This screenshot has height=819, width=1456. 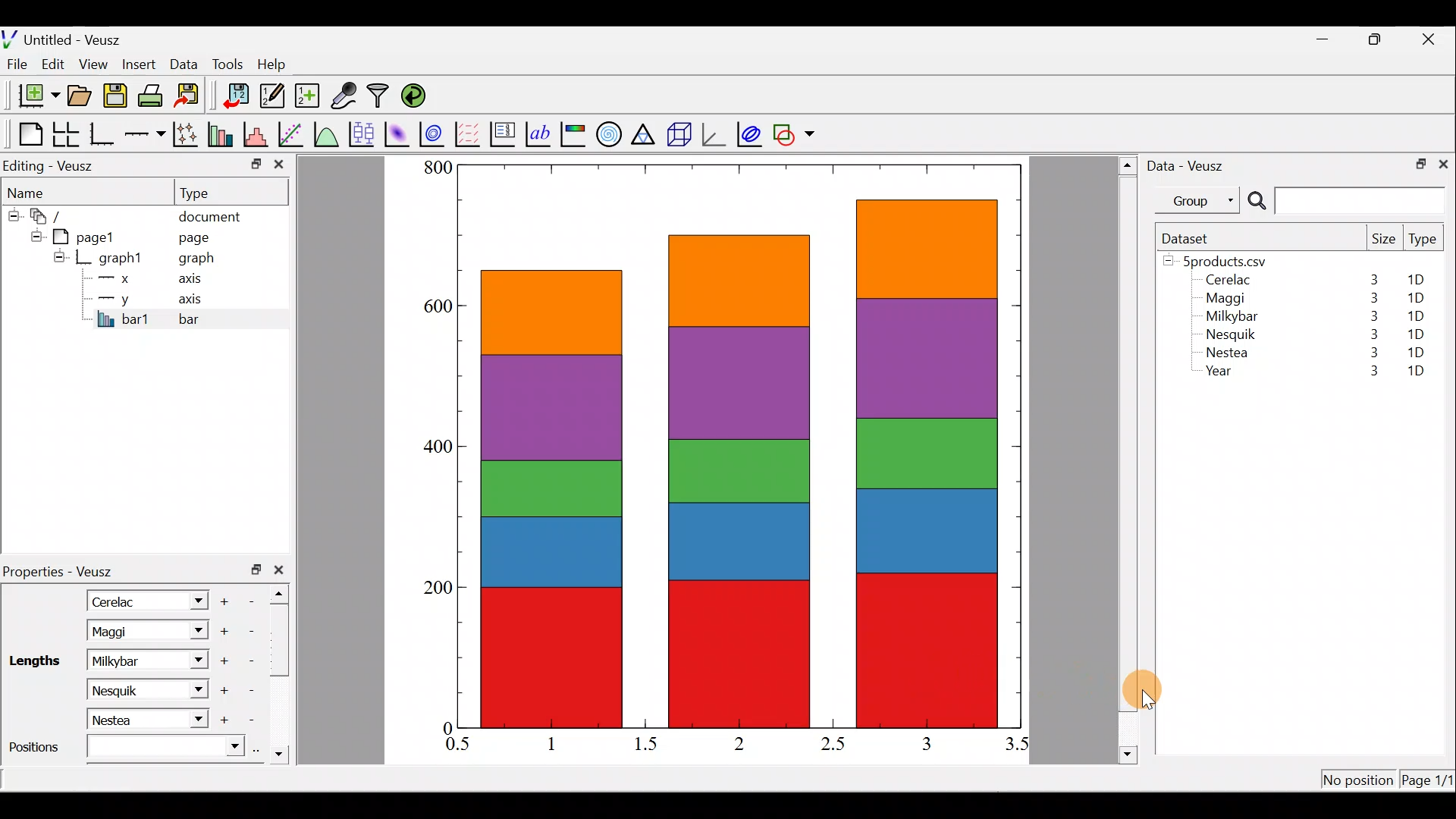 I want to click on document widget, so click(x=54, y=214).